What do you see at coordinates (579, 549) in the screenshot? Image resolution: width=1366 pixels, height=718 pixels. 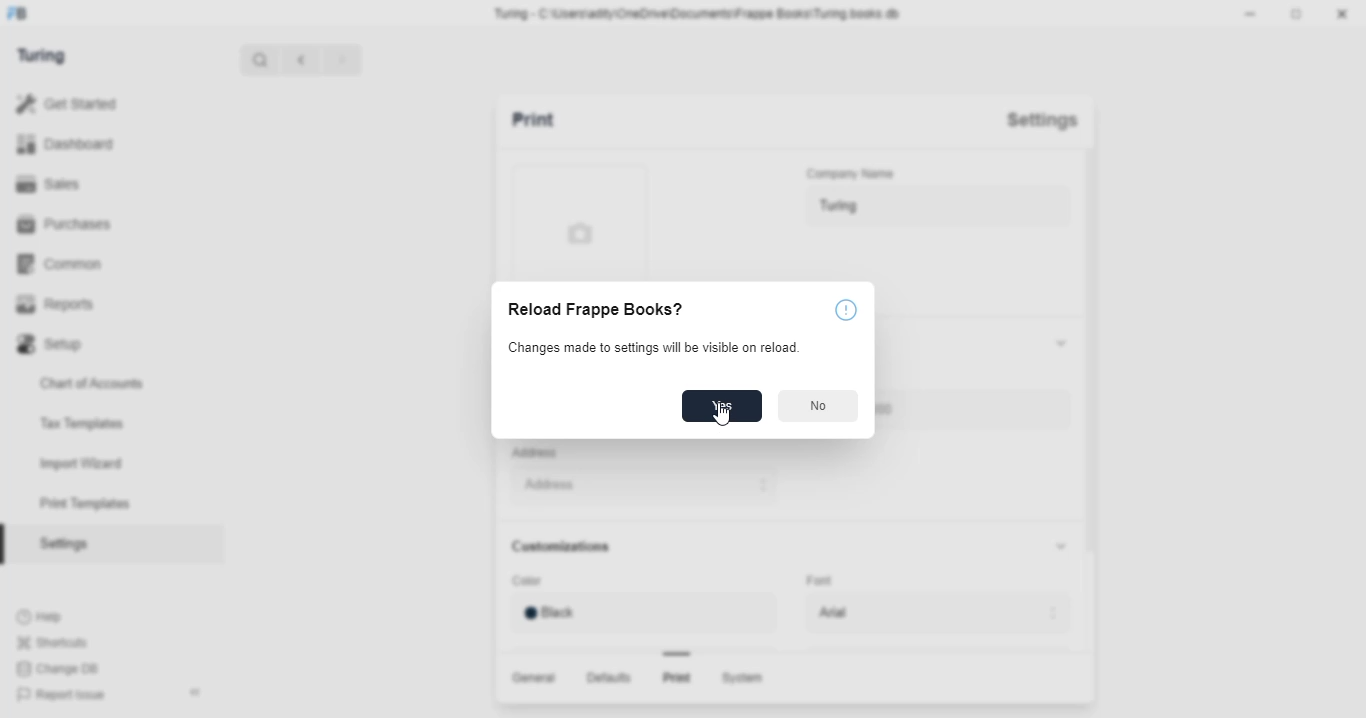 I see `Customizations` at bounding box center [579, 549].